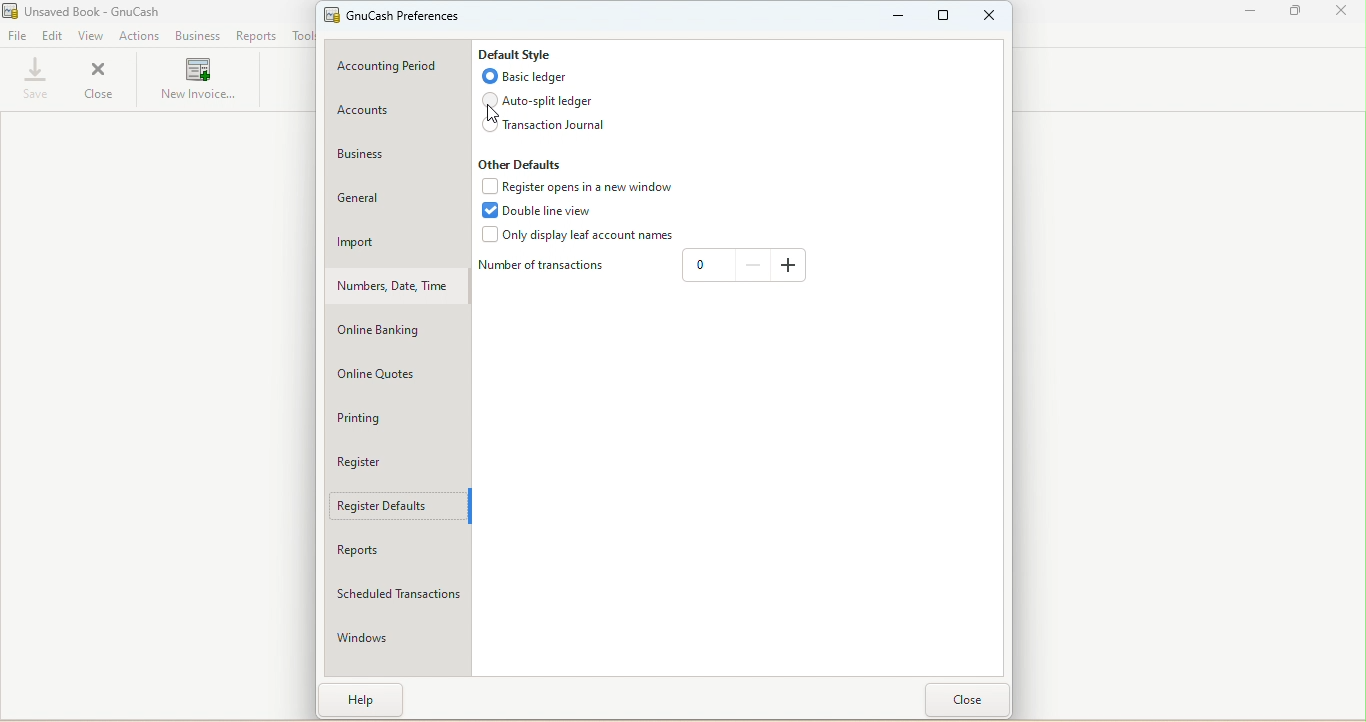 The image size is (1366, 722). What do you see at coordinates (577, 237) in the screenshot?
I see `Only display leaf account names` at bounding box center [577, 237].